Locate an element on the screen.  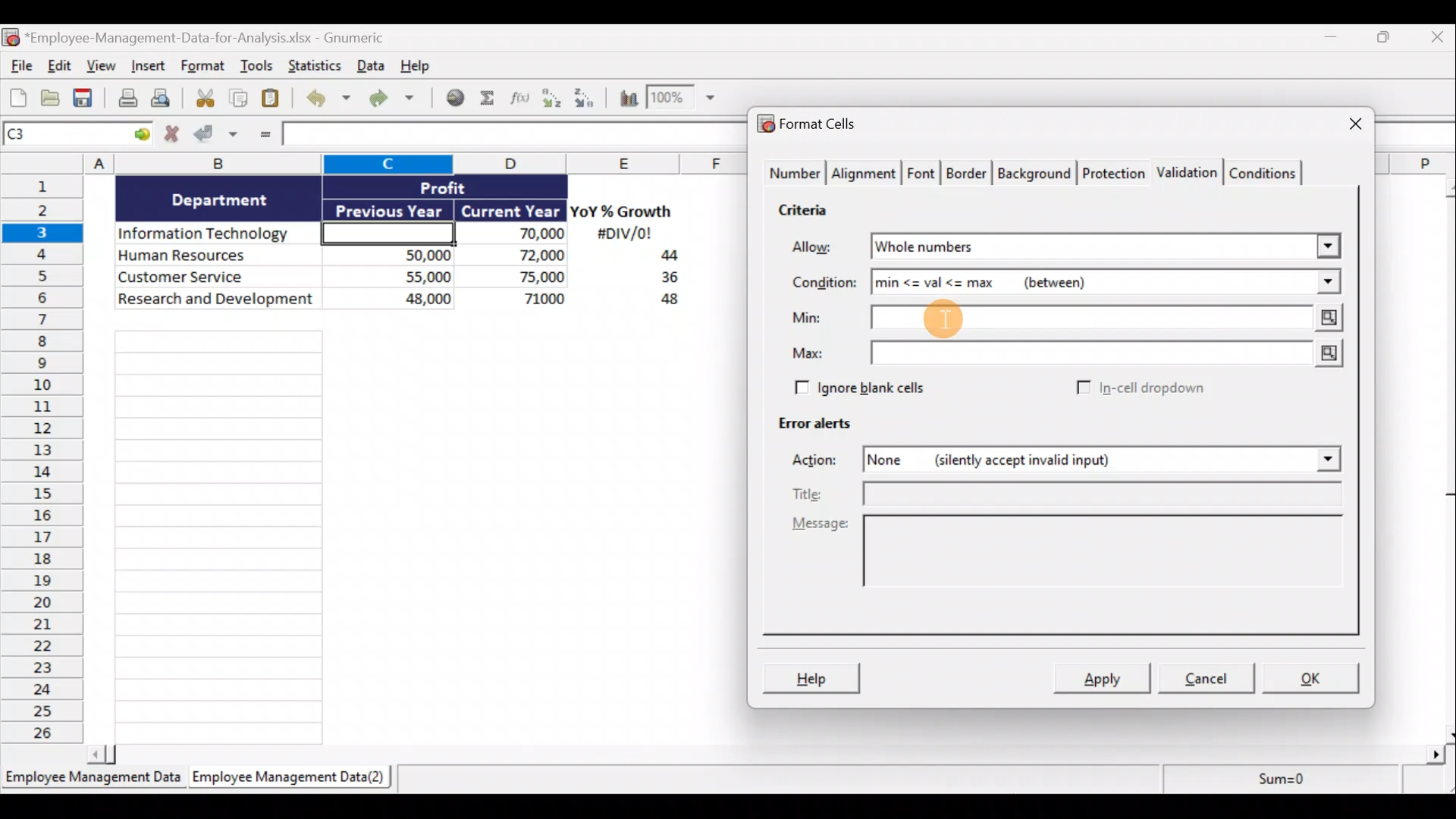
Allow is located at coordinates (823, 248).